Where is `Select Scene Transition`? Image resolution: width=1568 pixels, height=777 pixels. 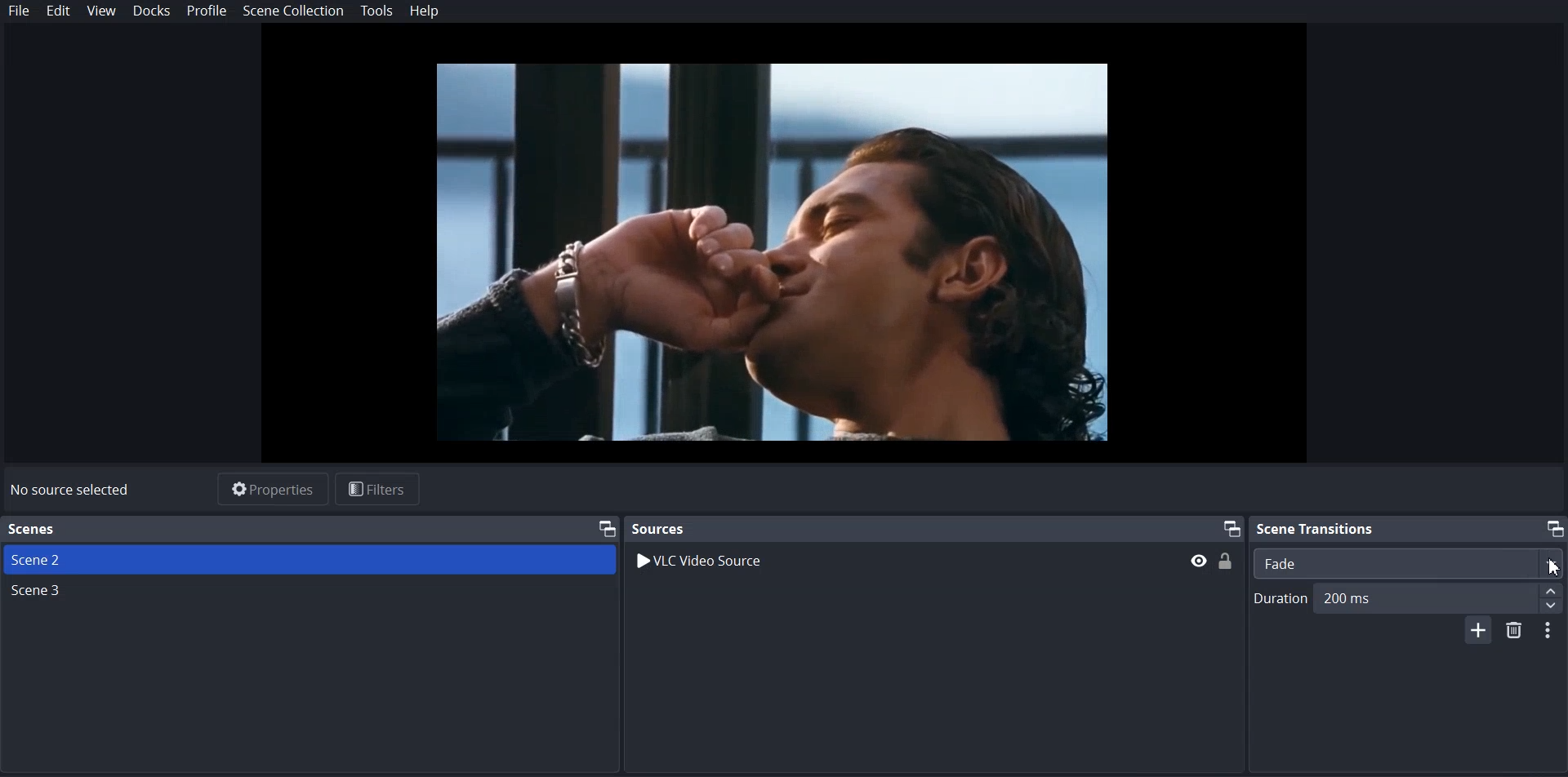
Select Scene Transition is located at coordinates (1410, 562).